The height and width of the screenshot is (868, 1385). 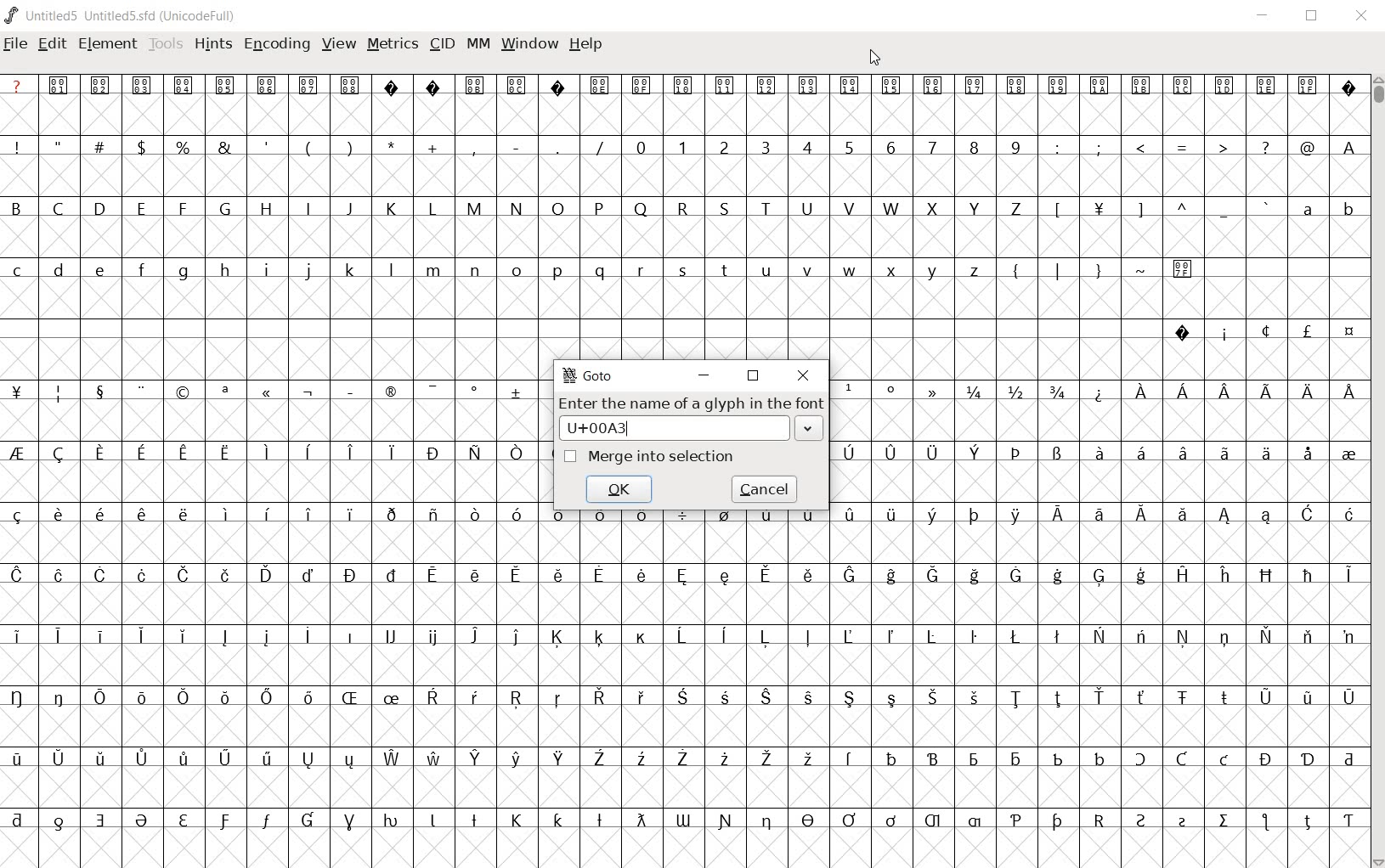 I want to click on Symbol, so click(x=1266, y=758).